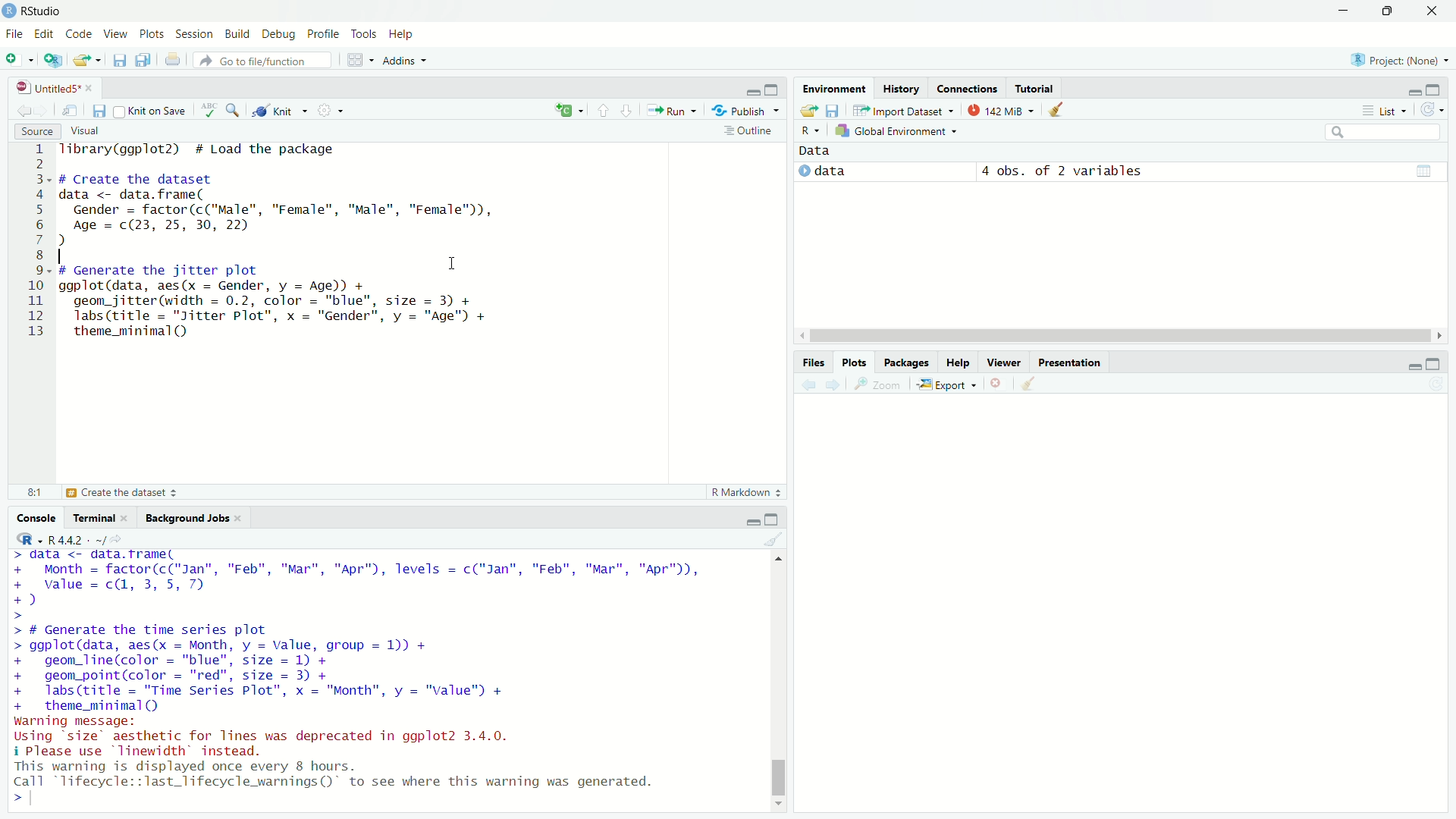 The width and height of the screenshot is (1456, 819). I want to click on cursor, so click(453, 264).